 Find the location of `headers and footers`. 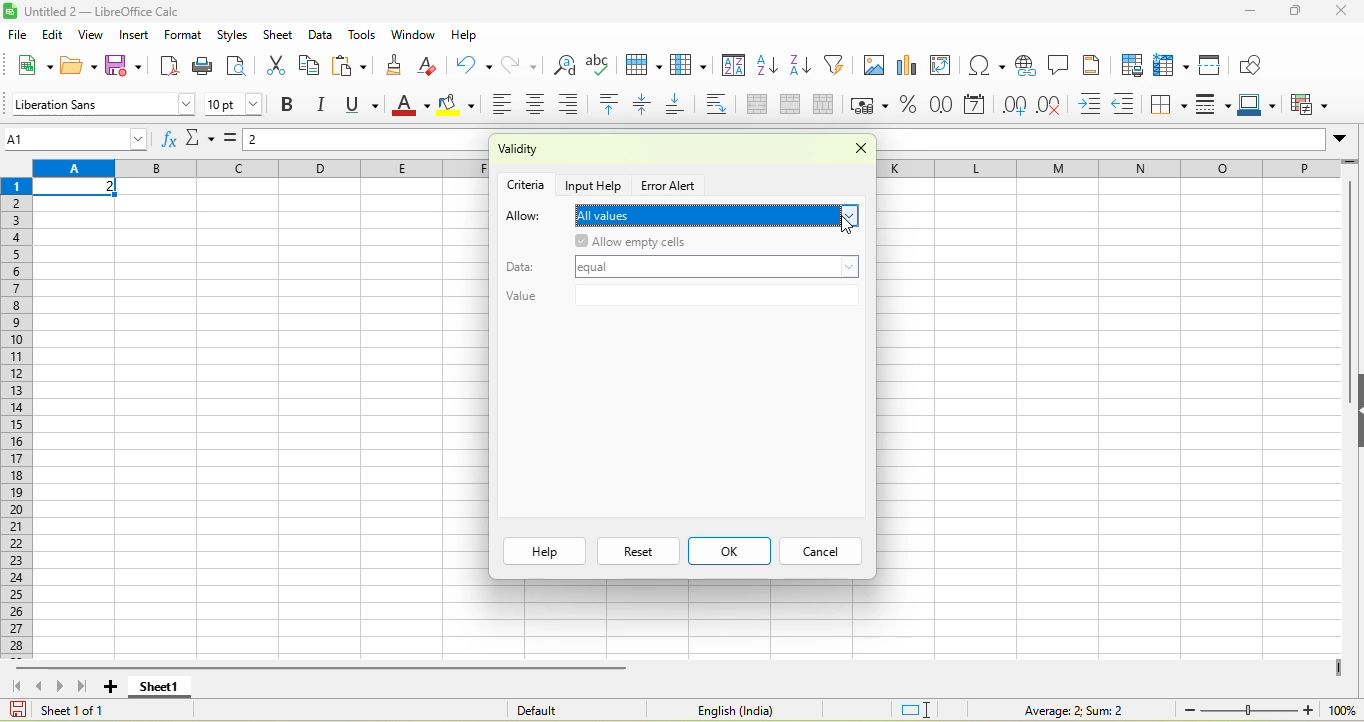

headers and footers is located at coordinates (1093, 64).